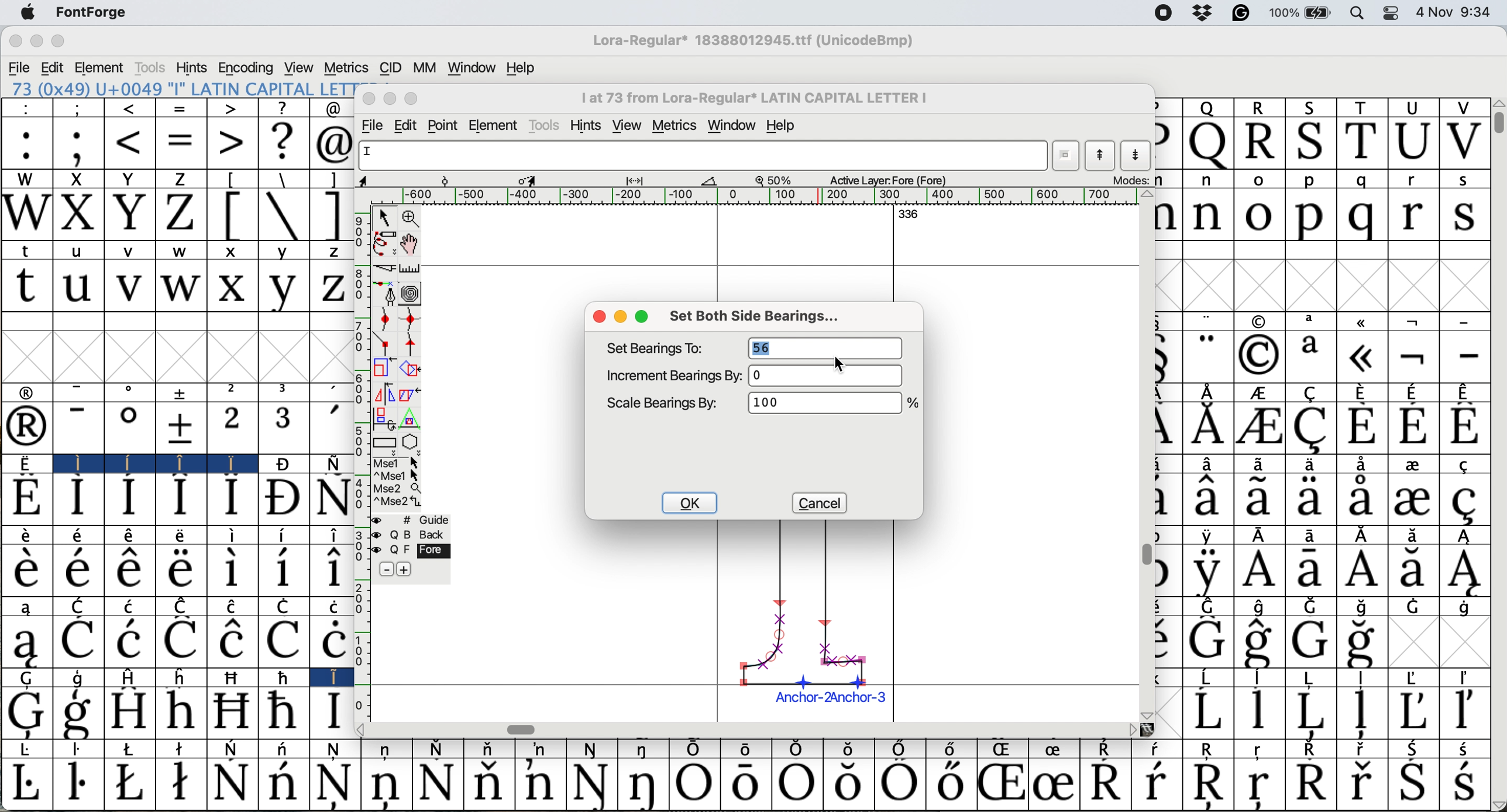 The image size is (1507, 812). I want to click on Symbol, so click(180, 570).